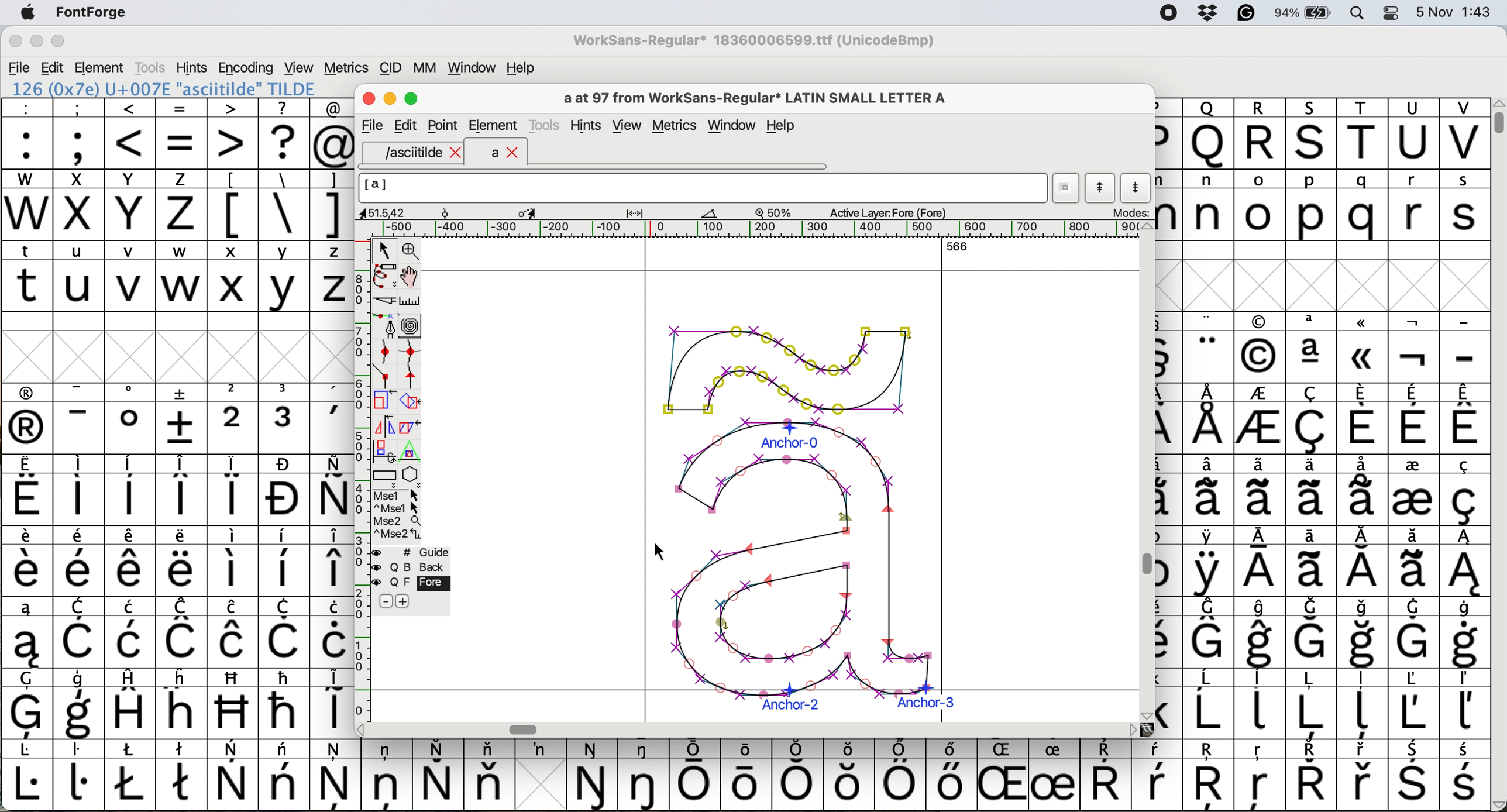  I want to click on symbol, so click(1312, 633).